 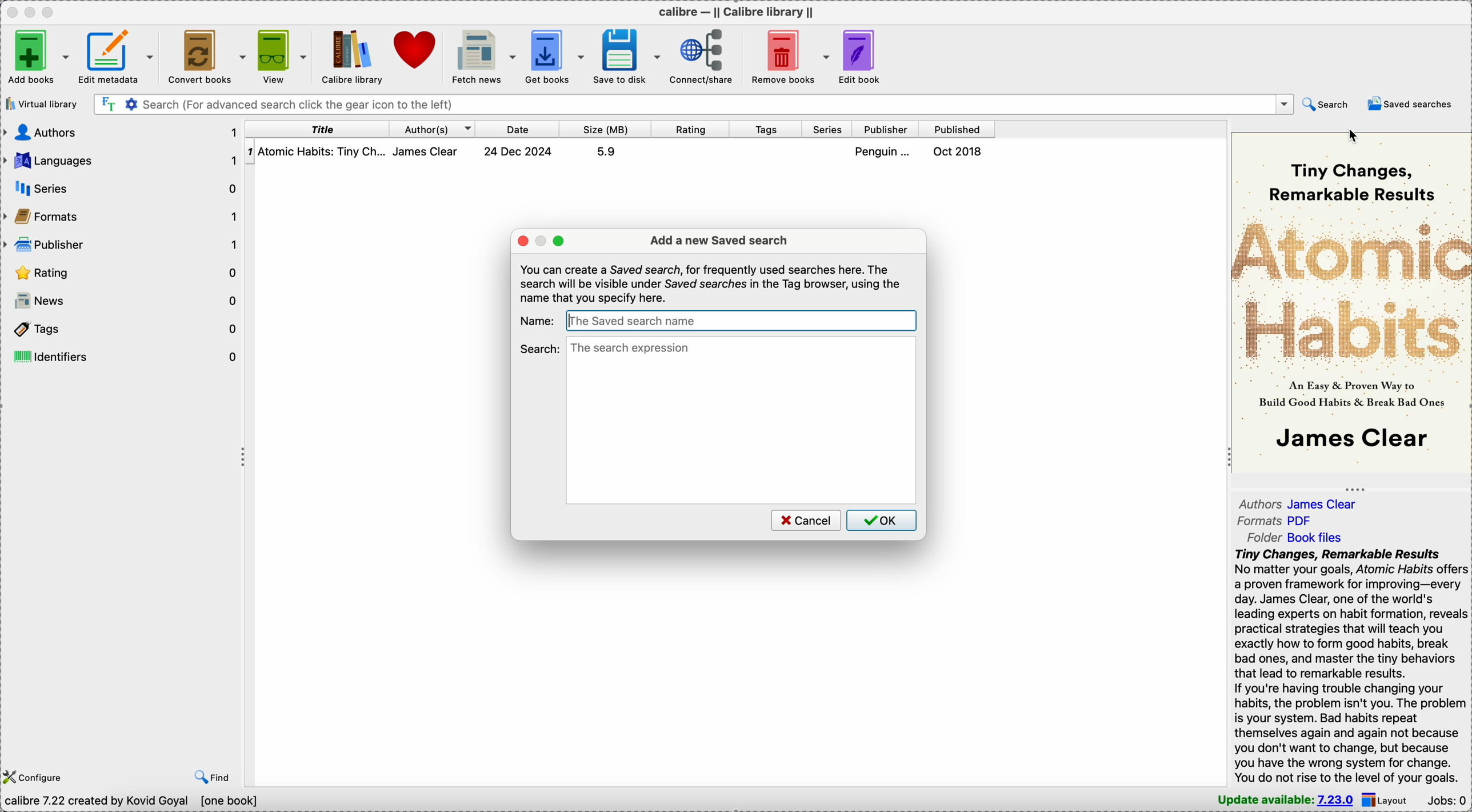 I want to click on saved searches, so click(x=1413, y=104).